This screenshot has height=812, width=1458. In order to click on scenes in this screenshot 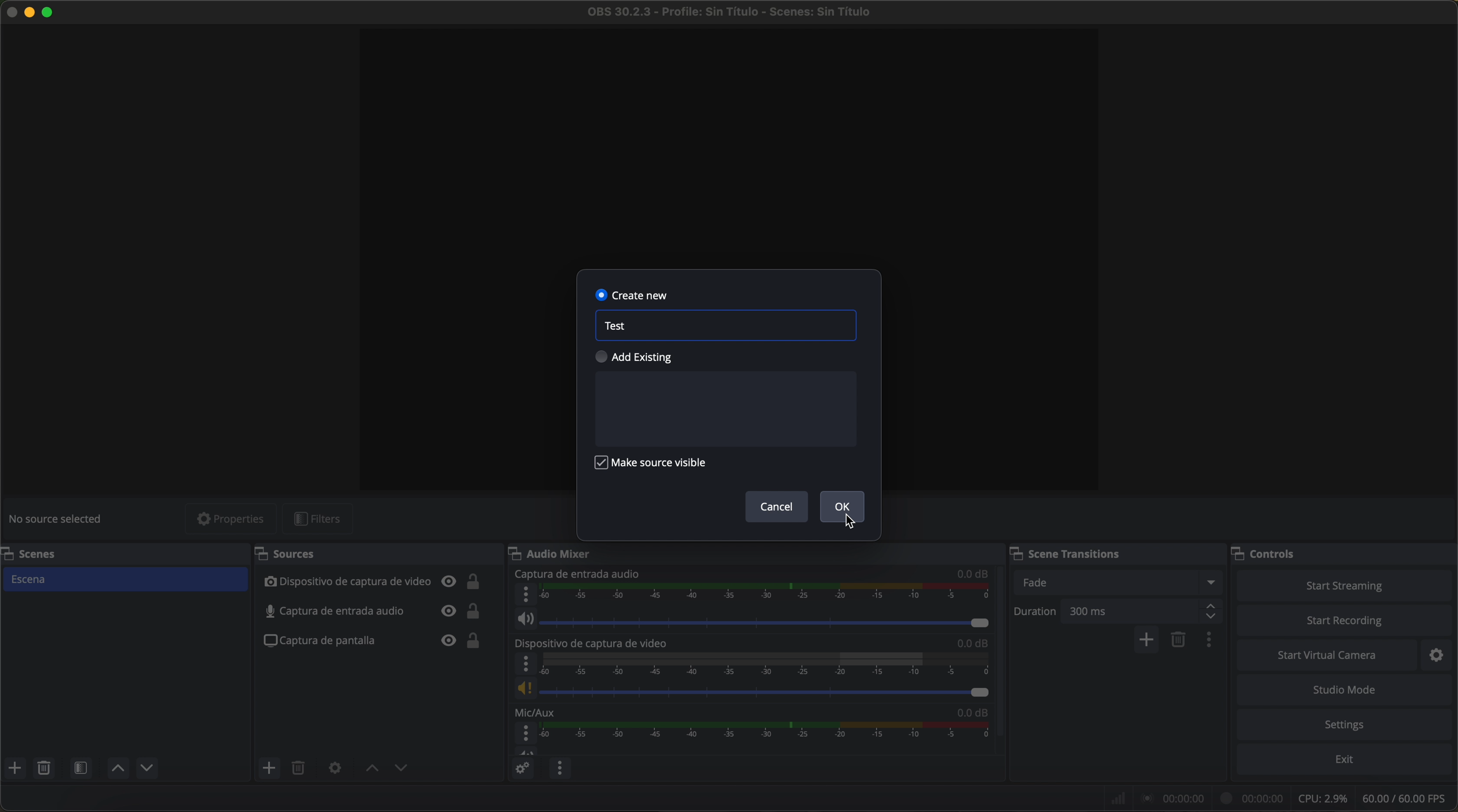, I will do `click(31, 553)`.